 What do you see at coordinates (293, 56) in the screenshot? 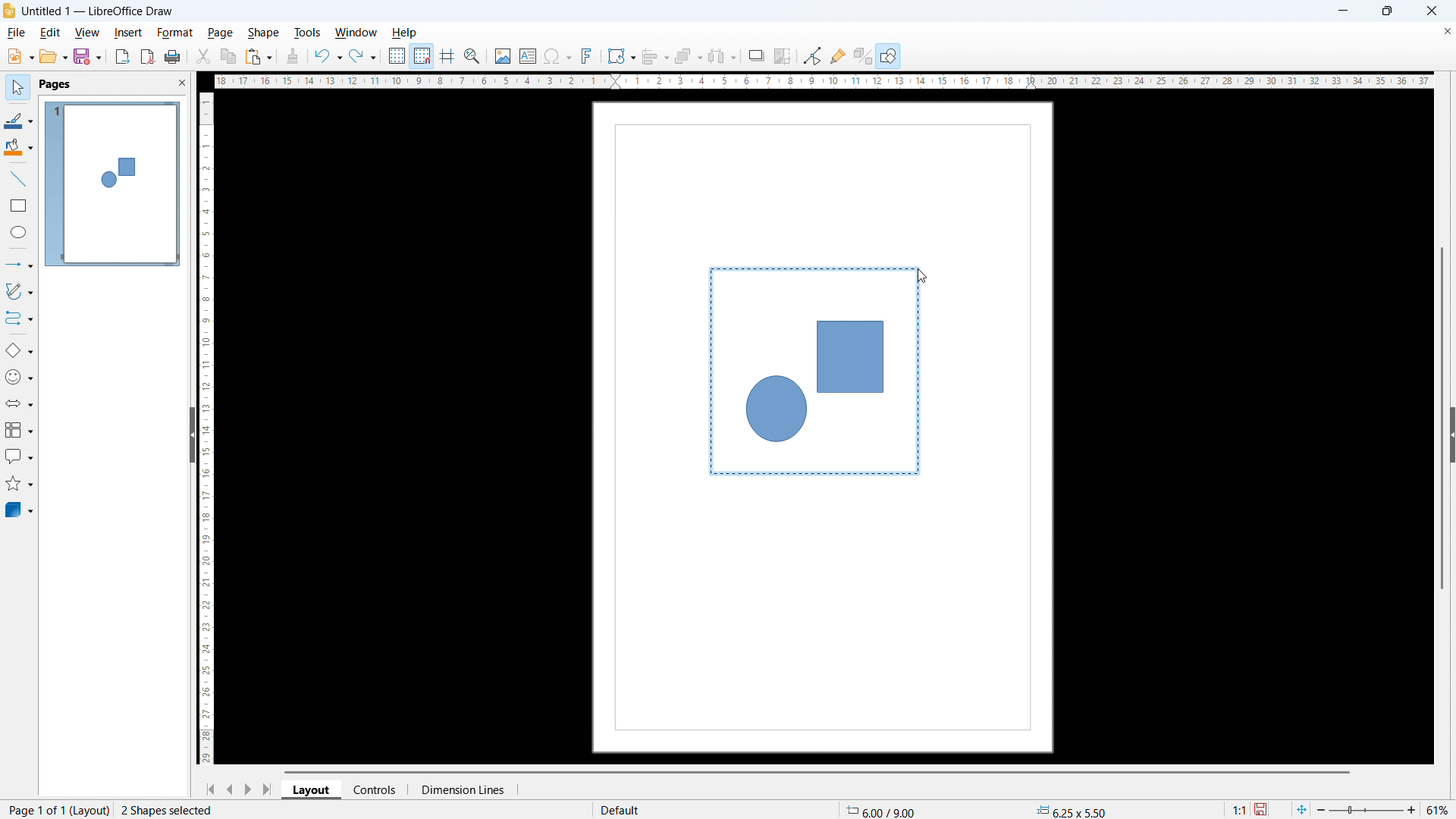
I see `clone formatting` at bounding box center [293, 56].